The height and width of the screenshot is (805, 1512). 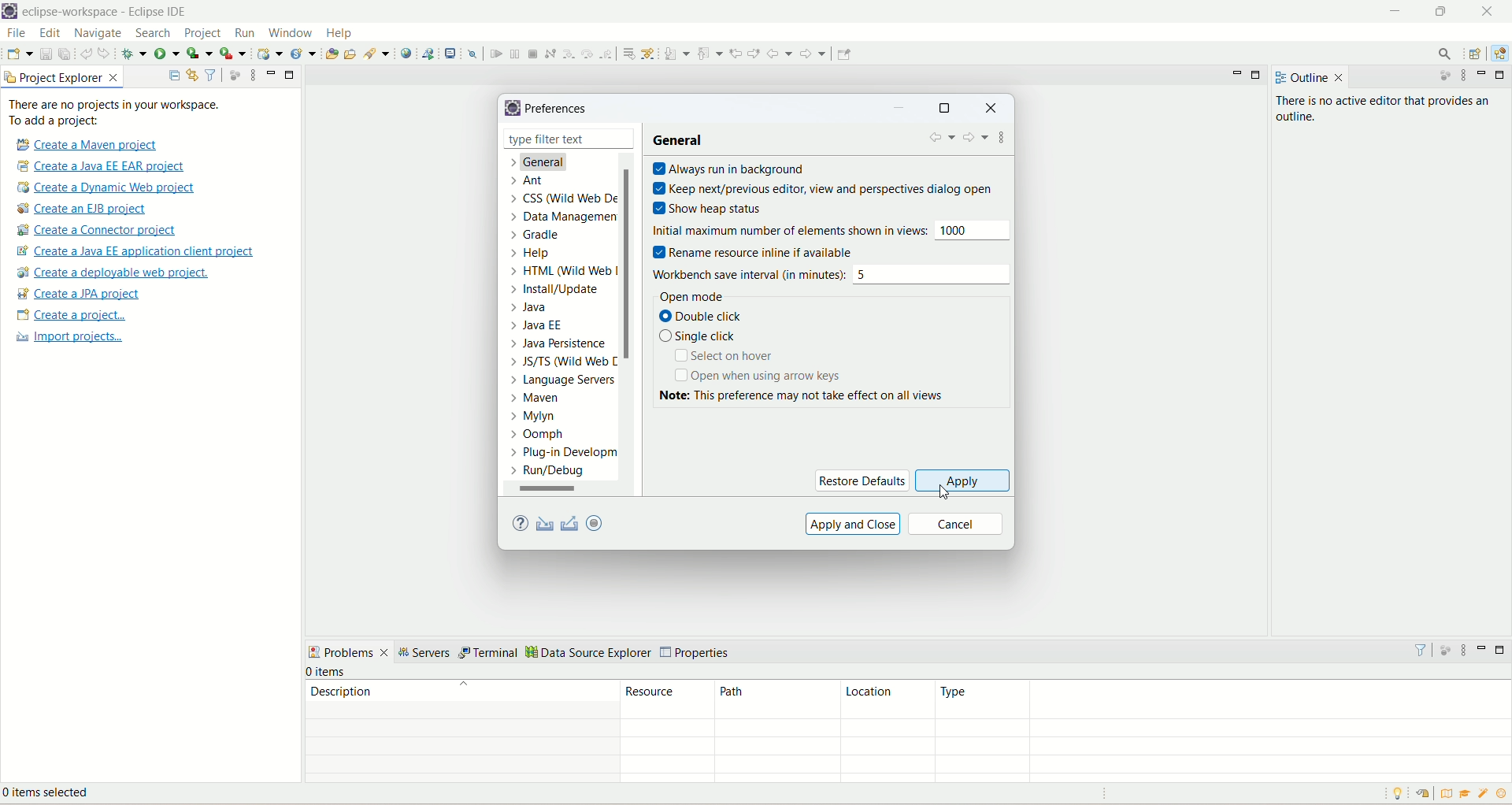 I want to click on edit, so click(x=50, y=34).